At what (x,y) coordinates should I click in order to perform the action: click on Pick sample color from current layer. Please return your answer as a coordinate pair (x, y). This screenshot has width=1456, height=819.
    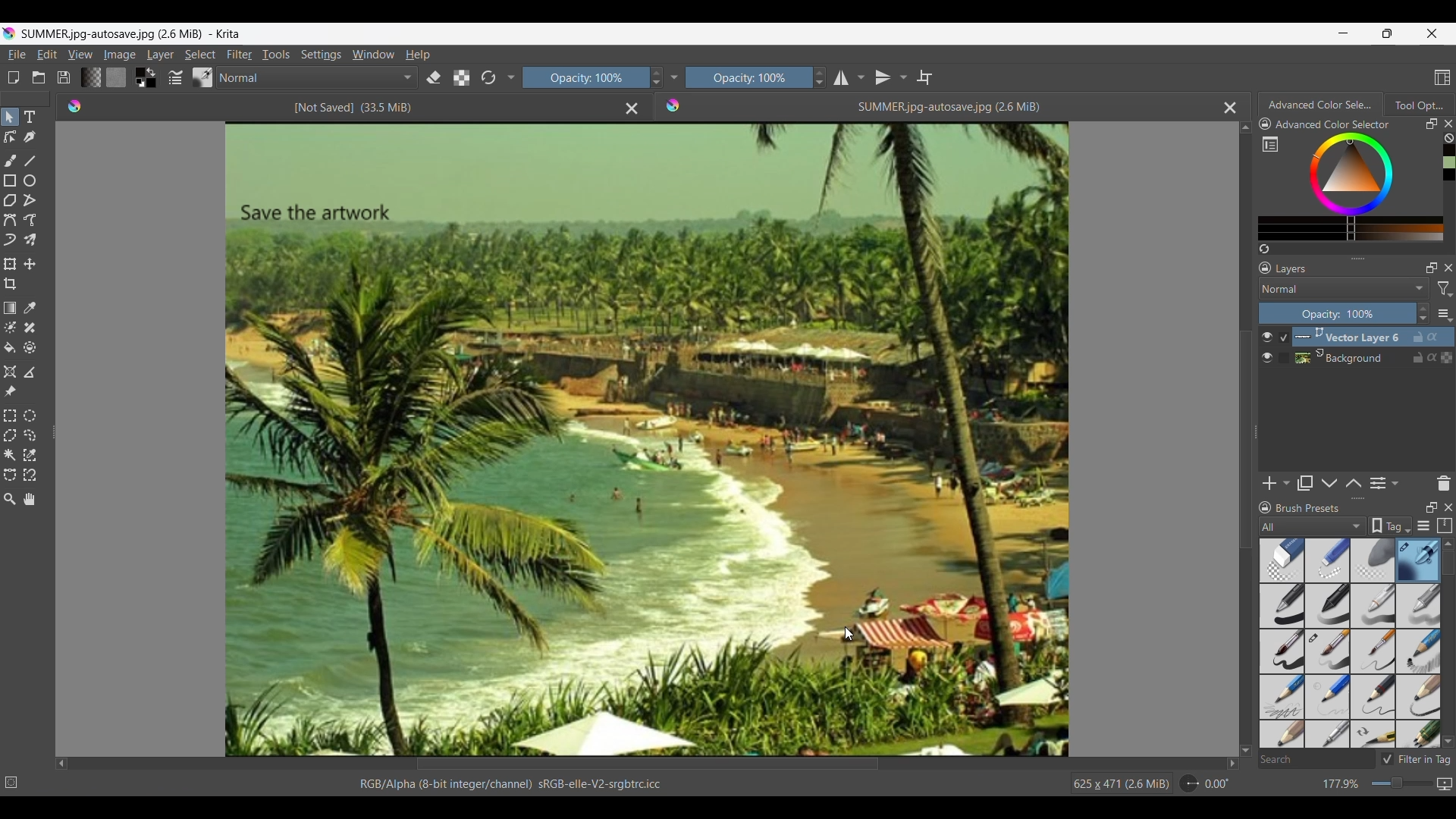
    Looking at the image, I should click on (30, 307).